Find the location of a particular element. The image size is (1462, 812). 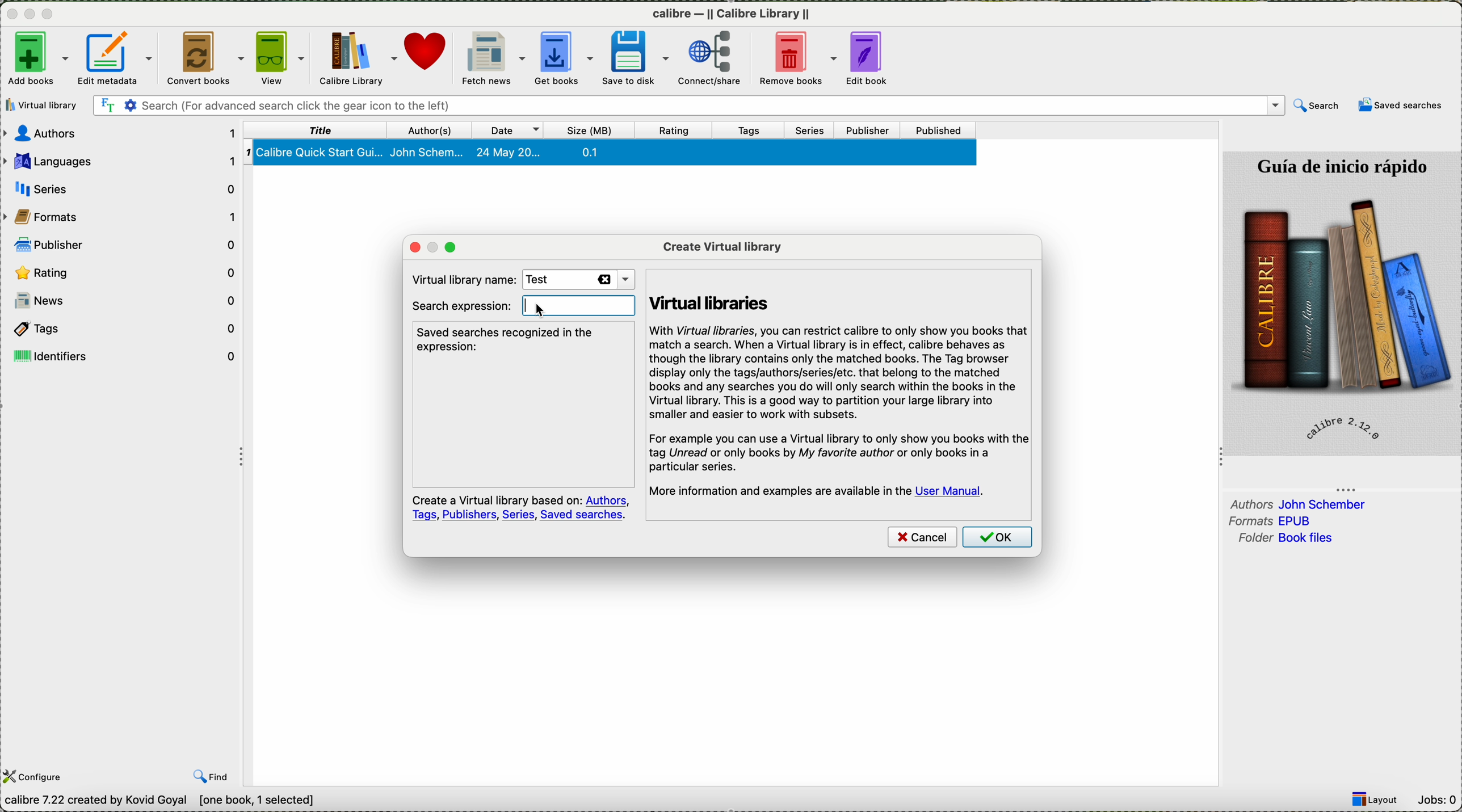

saved searches recognized the expression is located at coordinates (509, 339).